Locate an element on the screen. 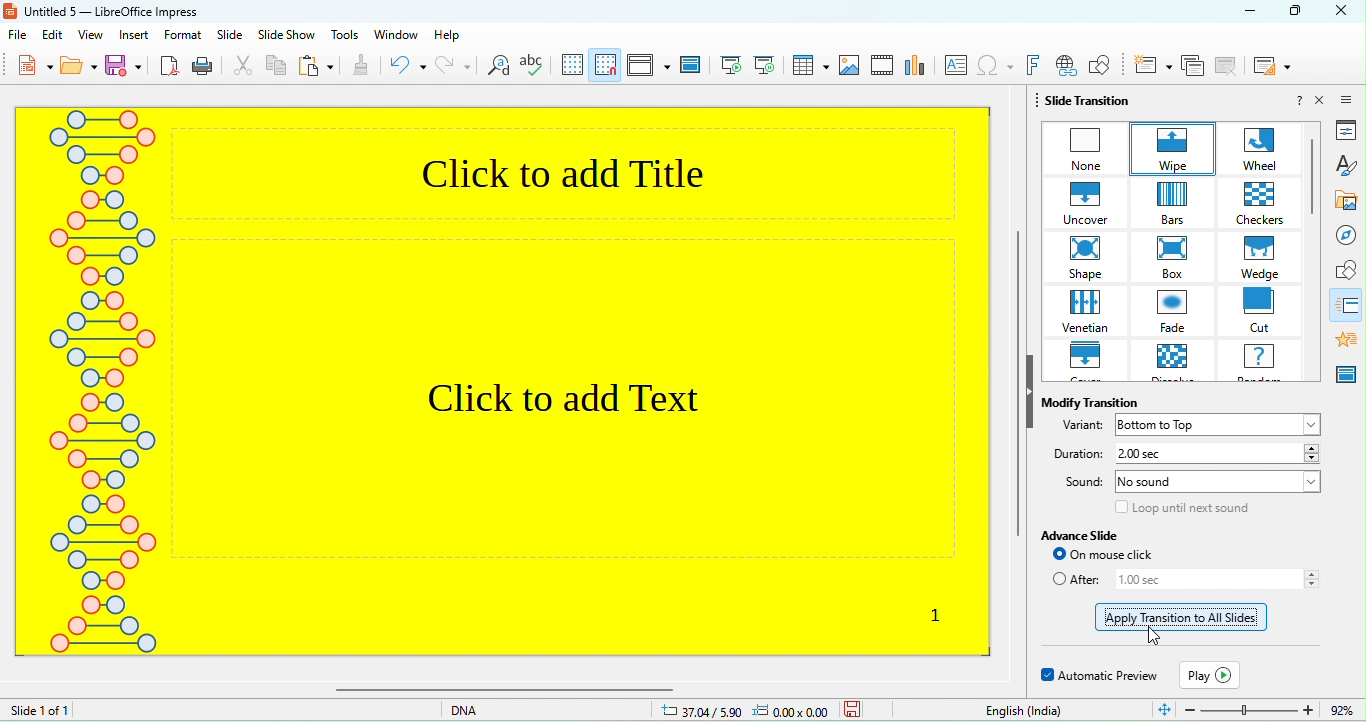 The image size is (1366, 722). cut is located at coordinates (240, 68).